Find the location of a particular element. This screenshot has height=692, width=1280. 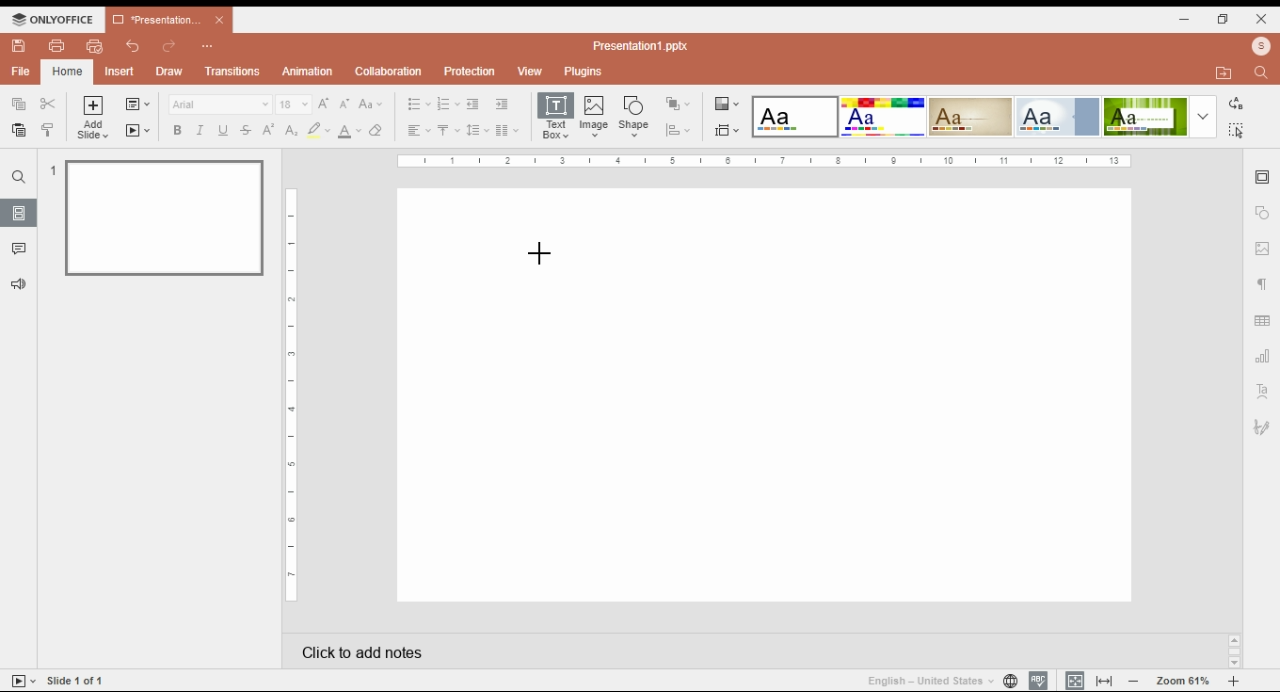

restore is located at coordinates (1224, 20).